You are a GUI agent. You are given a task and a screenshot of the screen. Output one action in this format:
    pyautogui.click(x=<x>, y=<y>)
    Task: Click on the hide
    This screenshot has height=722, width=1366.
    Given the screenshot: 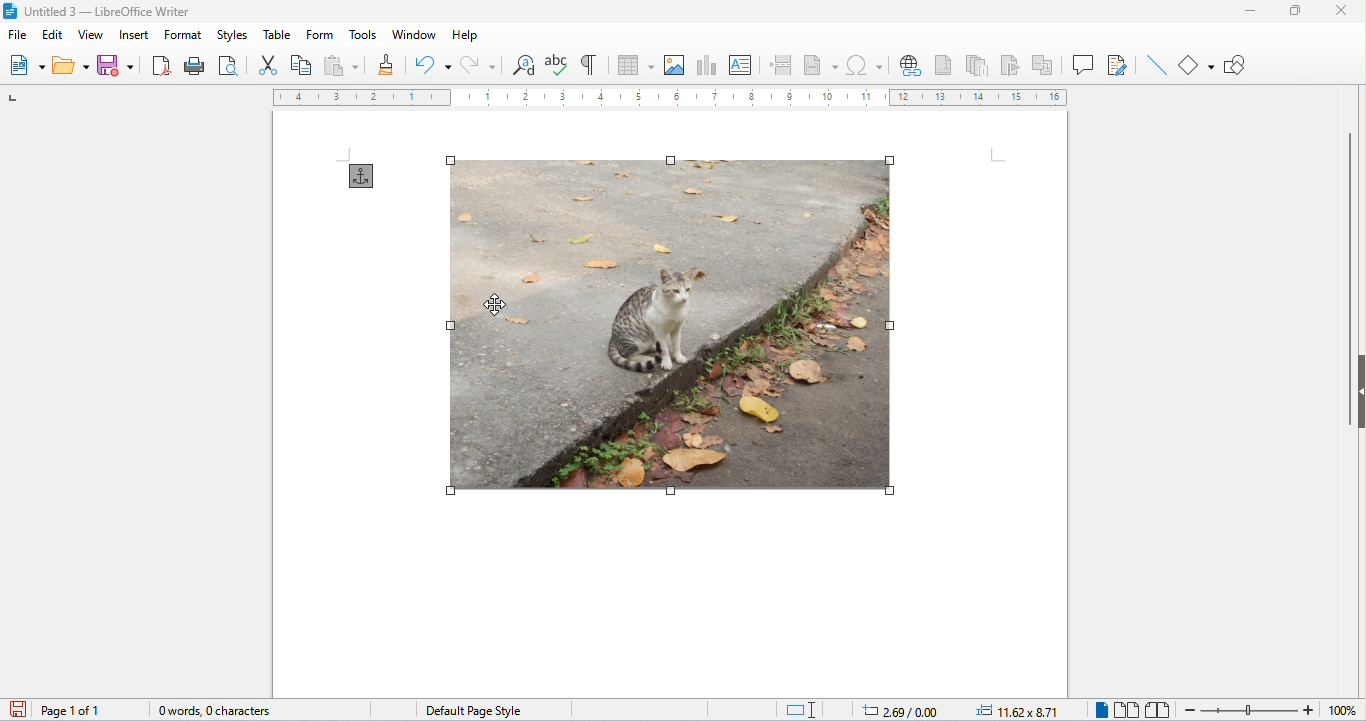 What is the action you would take?
    pyautogui.click(x=1357, y=391)
    